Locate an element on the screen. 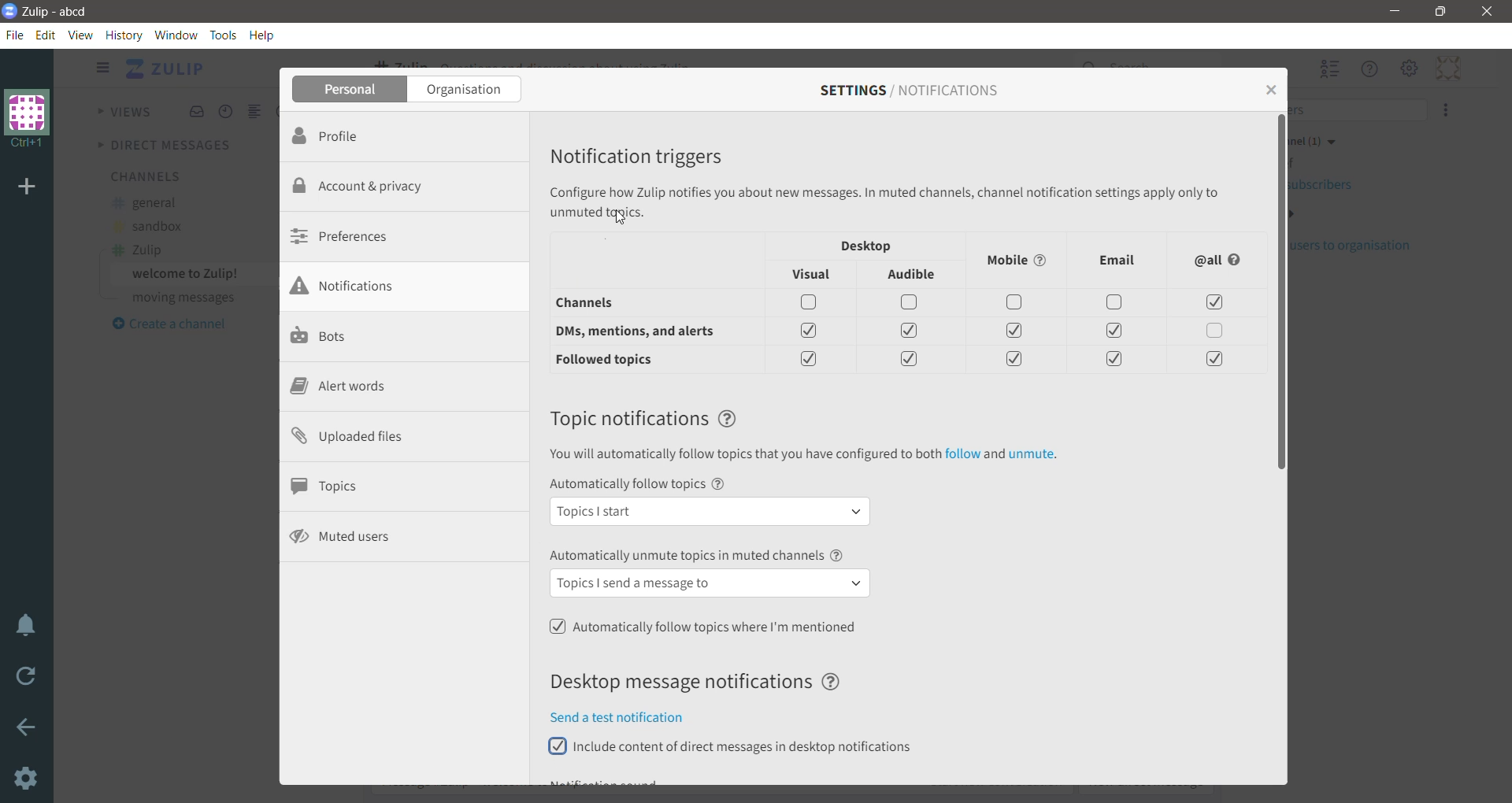 The image size is (1512, 803). Personal is located at coordinates (350, 90).